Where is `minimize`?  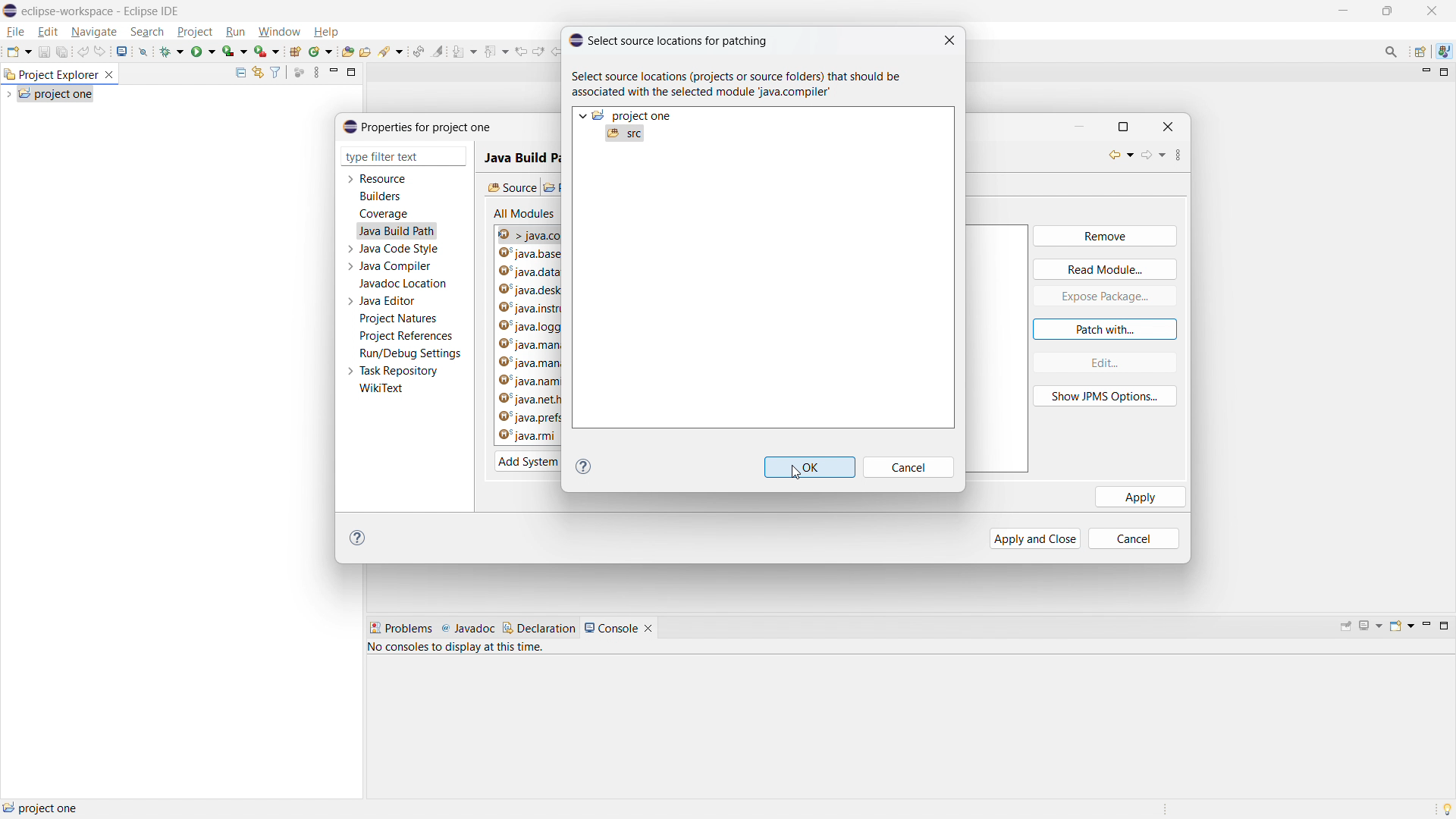
minimize is located at coordinates (1081, 125).